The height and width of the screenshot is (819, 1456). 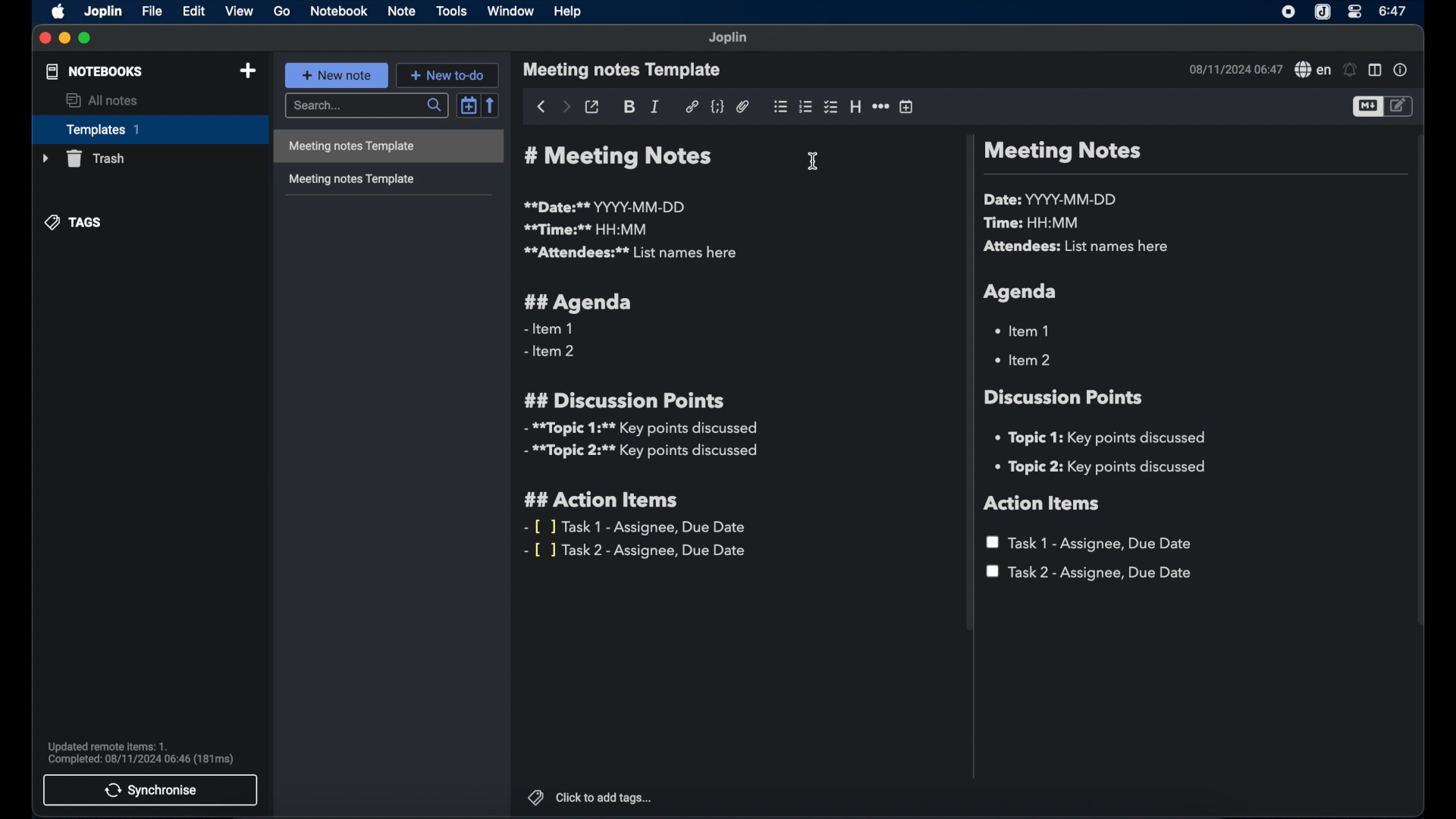 What do you see at coordinates (639, 428) in the screenshot?
I see `**topic 1:** key points discussed` at bounding box center [639, 428].